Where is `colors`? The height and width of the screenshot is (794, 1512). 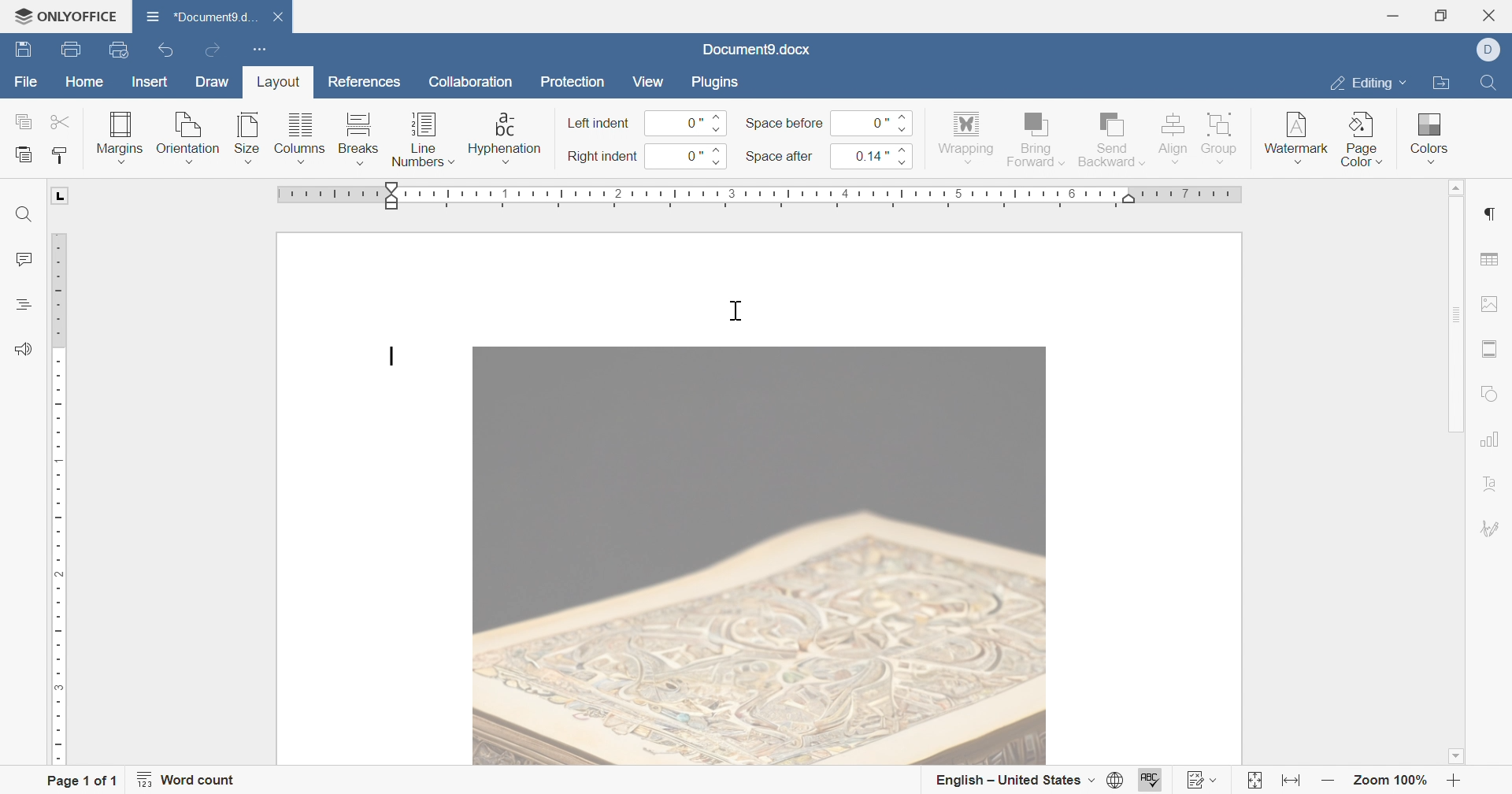 colors is located at coordinates (1426, 132).